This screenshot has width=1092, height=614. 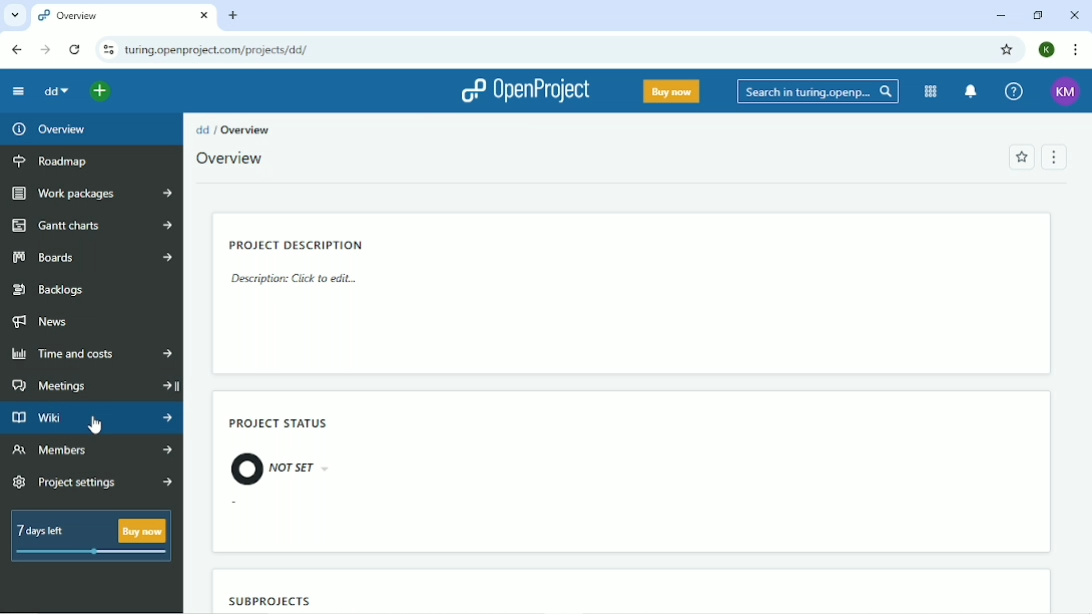 What do you see at coordinates (1047, 50) in the screenshot?
I see `Account` at bounding box center [1047, 50].